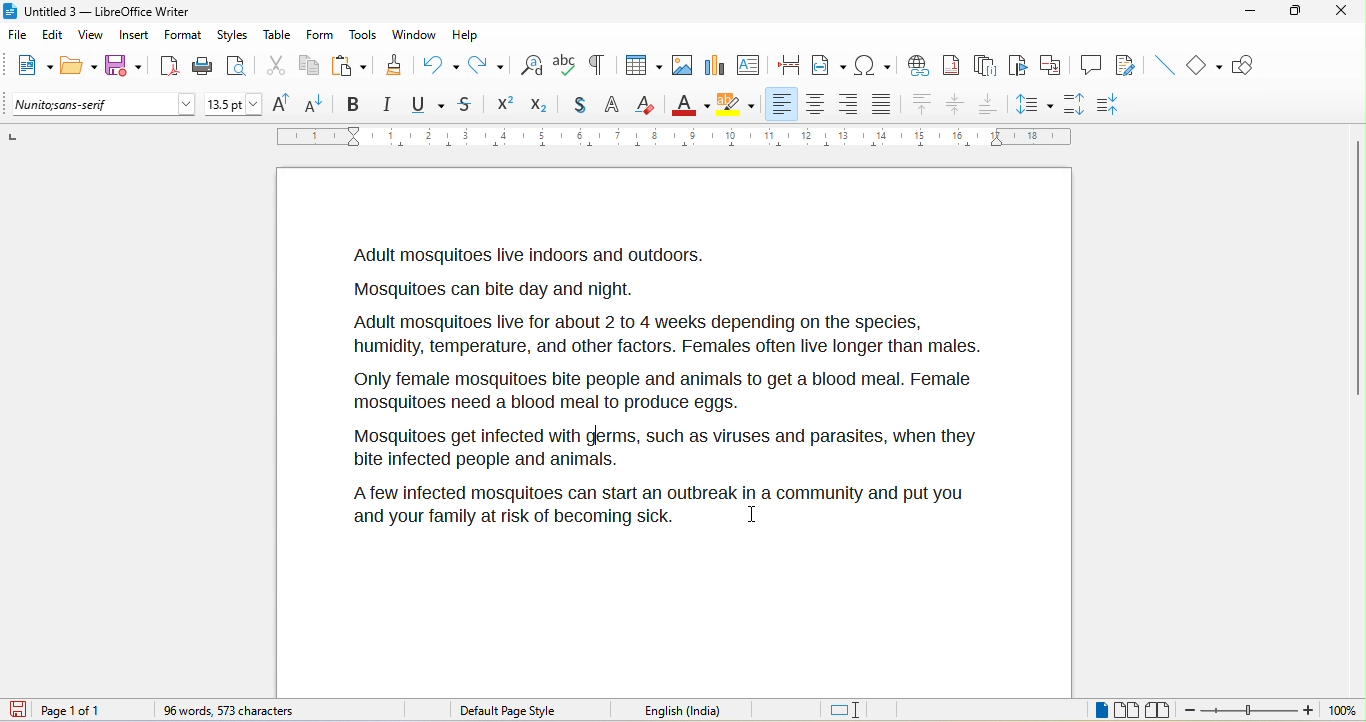 This screenshot has height=722, width=1366. I want to click on save, so click(125, 65).